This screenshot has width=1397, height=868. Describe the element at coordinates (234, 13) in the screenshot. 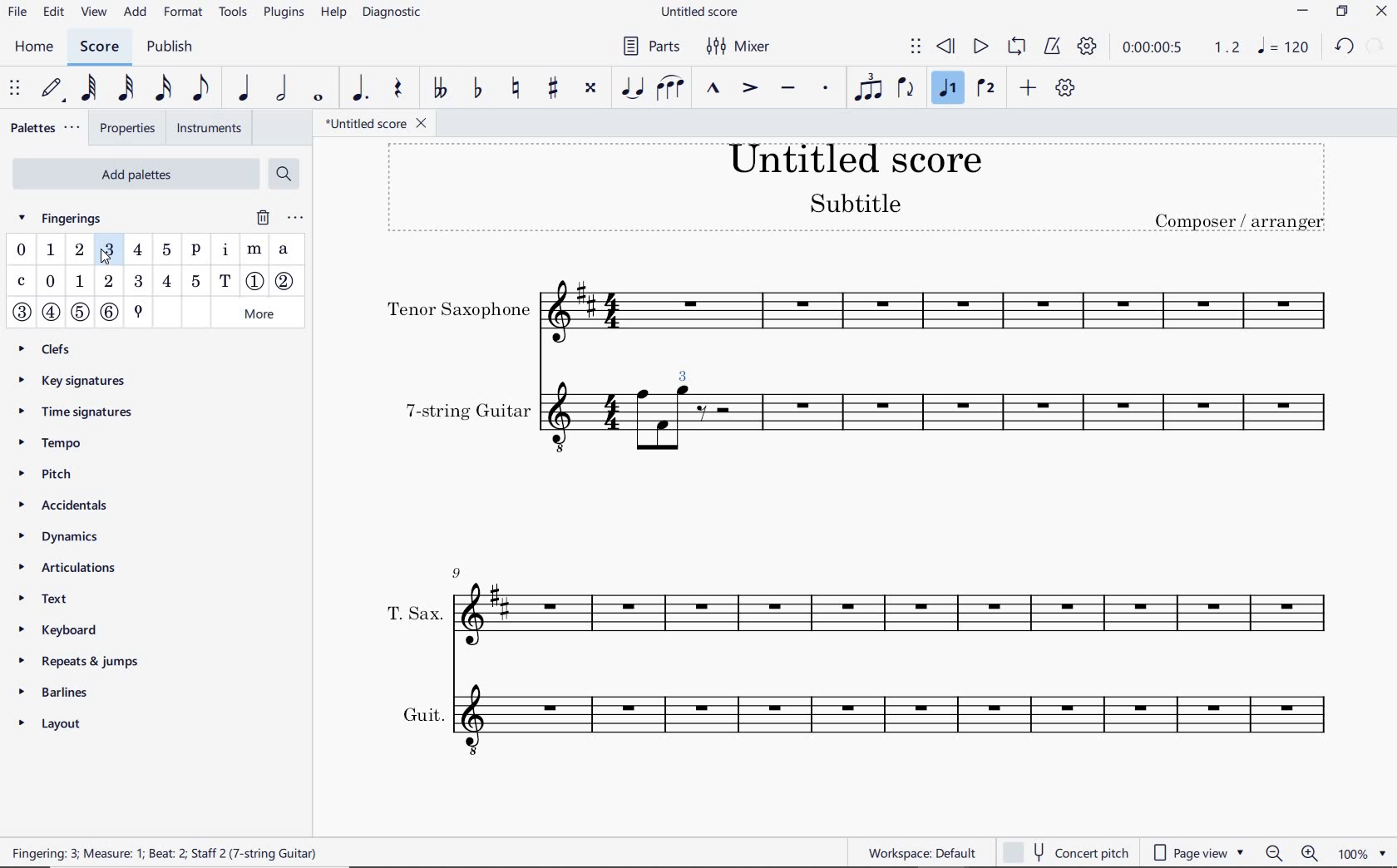

I see `TOOLS` at that location.